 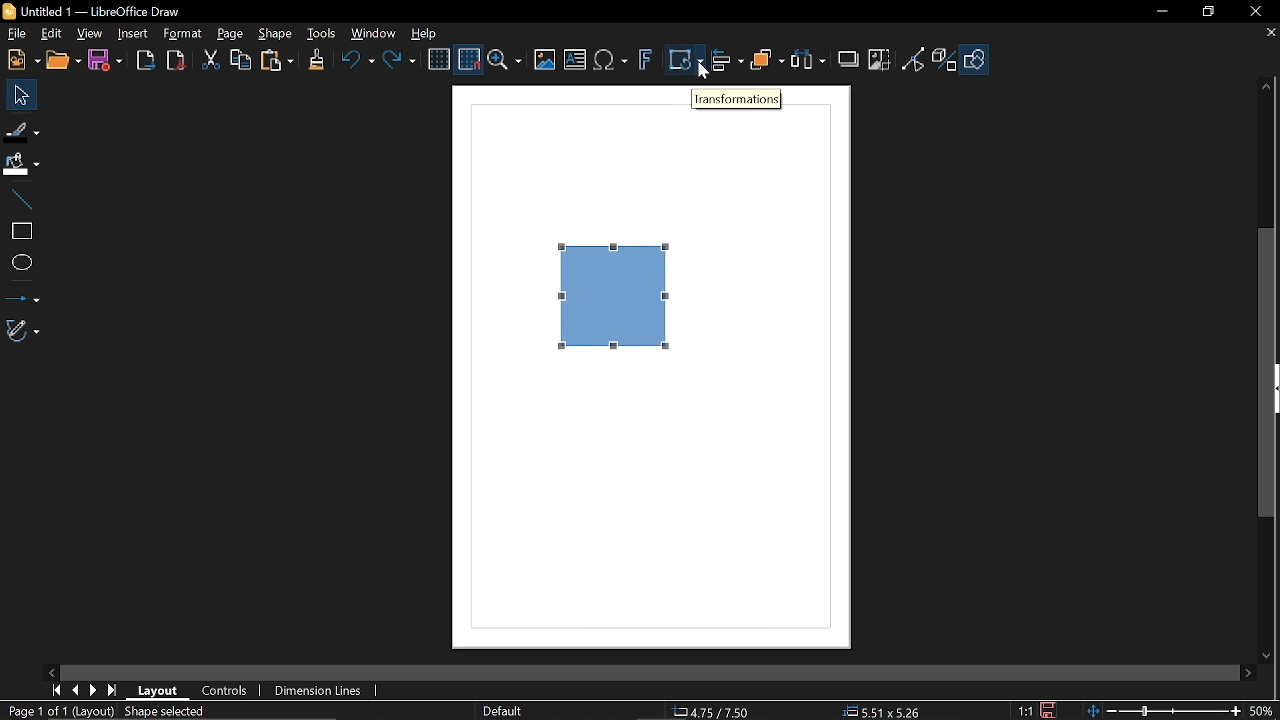 What do you see at coordinates (52, 672) in the screenshot?
I see `Move left` at bounding box center [52, 672].